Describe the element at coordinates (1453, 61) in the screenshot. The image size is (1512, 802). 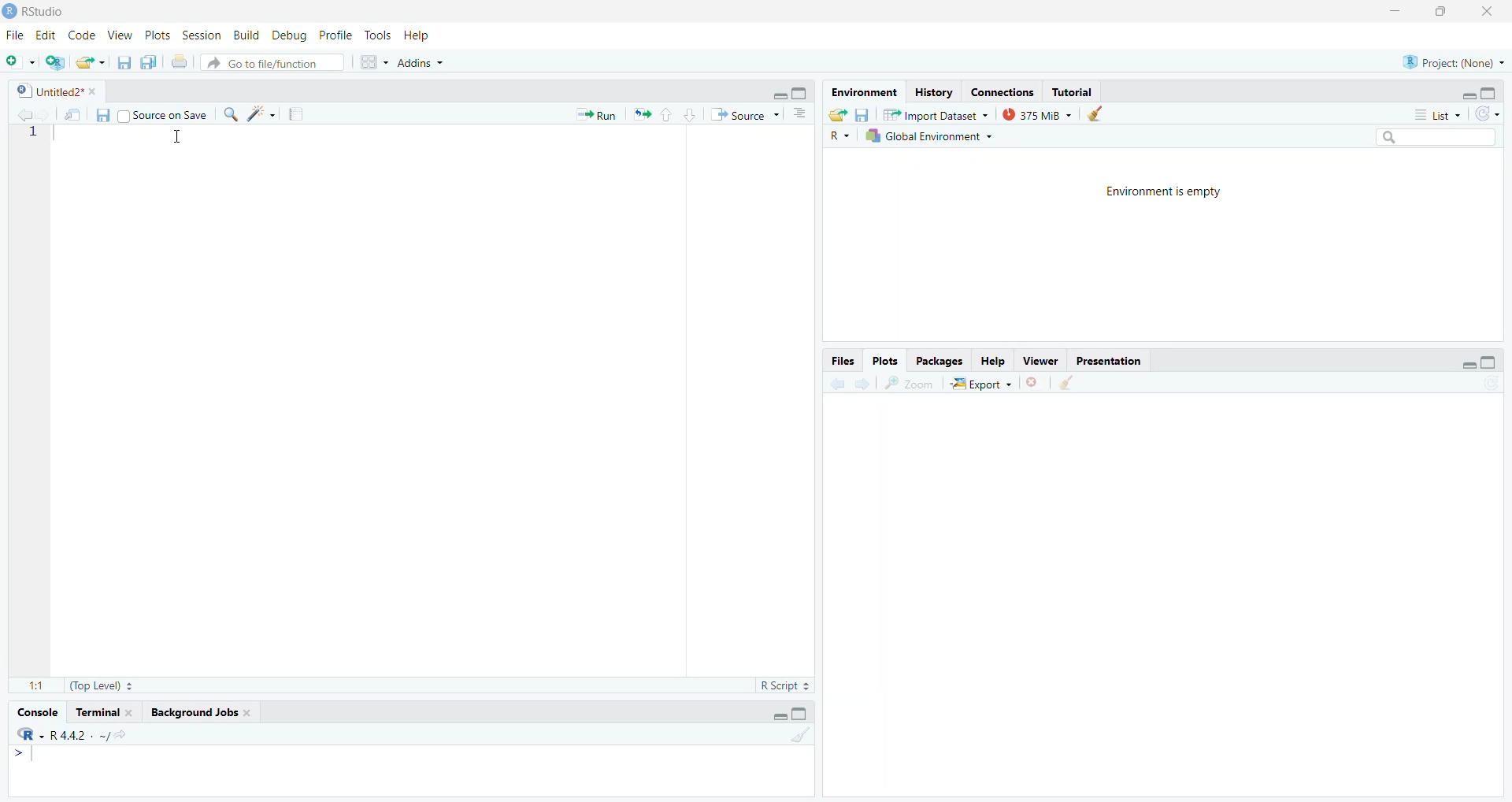
I see `®) Project: (None) ~` at that location.